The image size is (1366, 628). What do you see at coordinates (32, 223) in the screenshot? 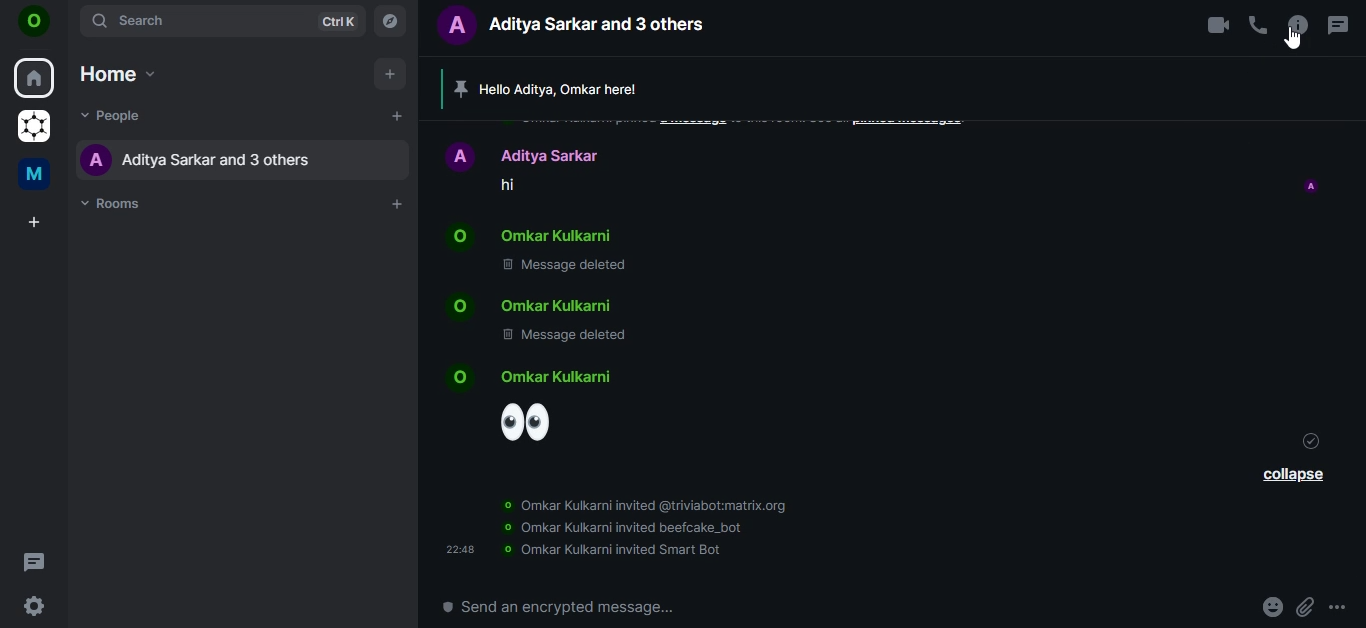
I see `create a space` at bounding box center [32, 223].